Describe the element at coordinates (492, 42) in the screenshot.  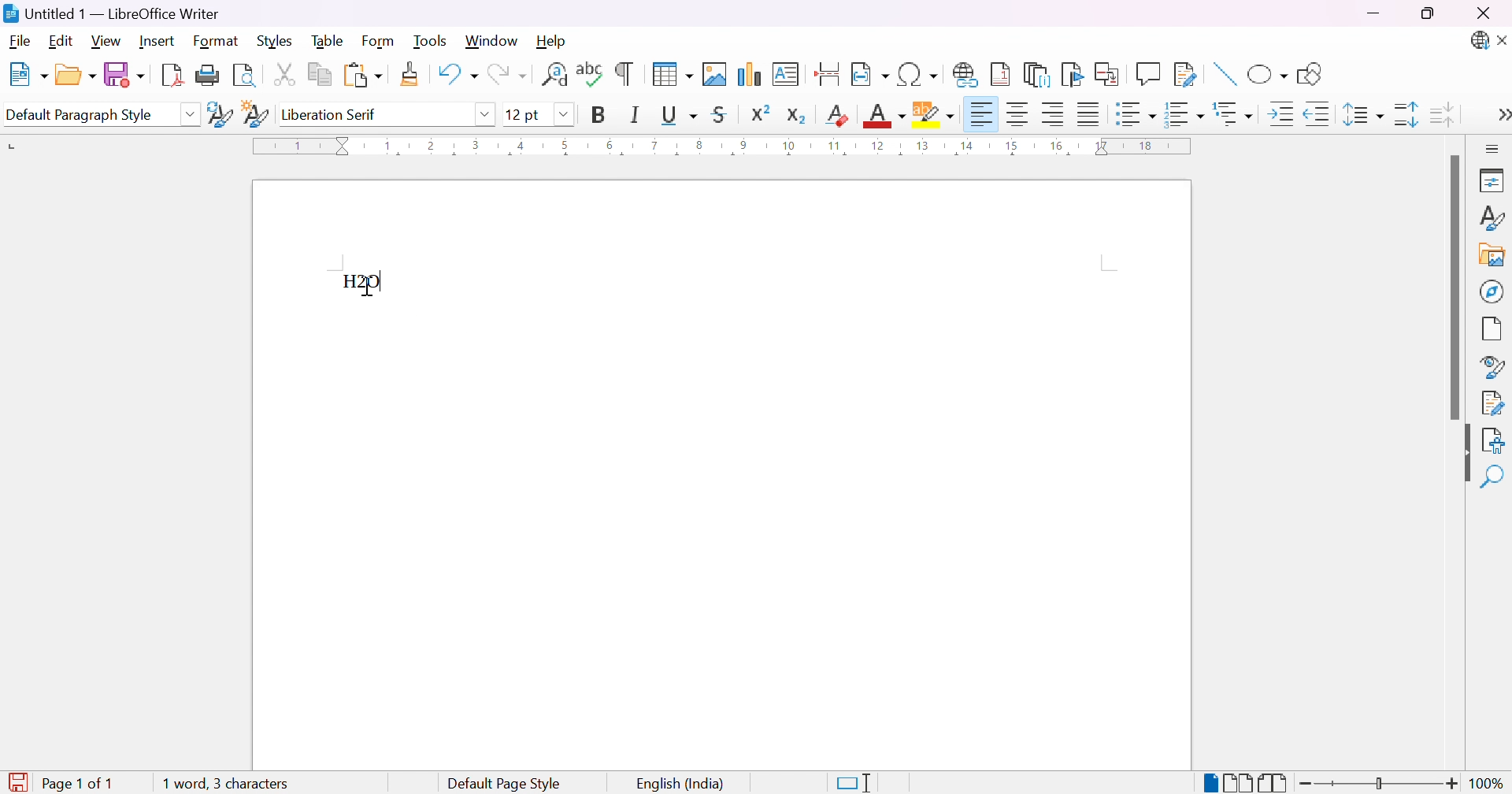
I see `Window` at that location.